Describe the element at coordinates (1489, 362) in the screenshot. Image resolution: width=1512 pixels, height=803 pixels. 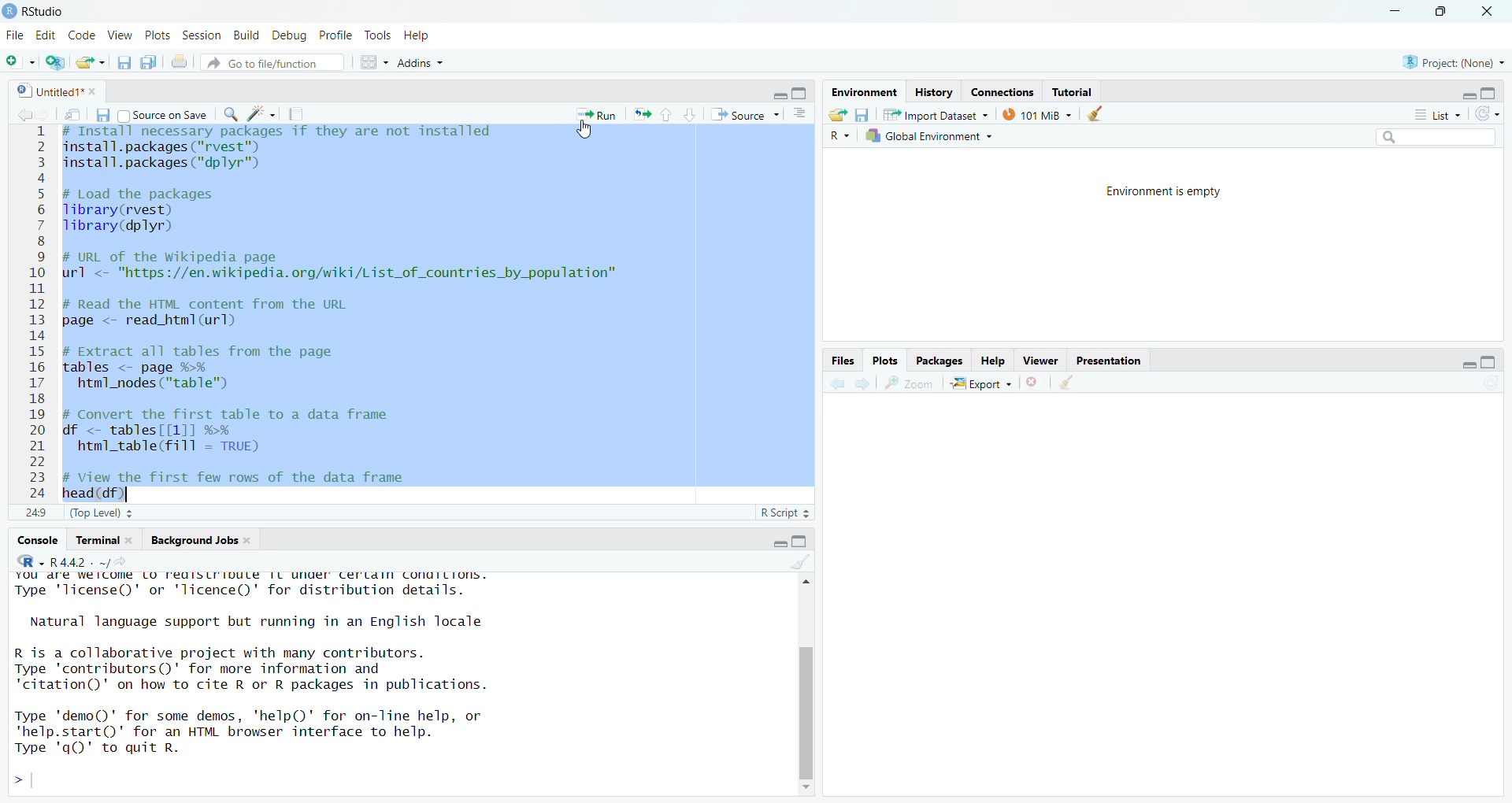
I see `maximize` at that location.